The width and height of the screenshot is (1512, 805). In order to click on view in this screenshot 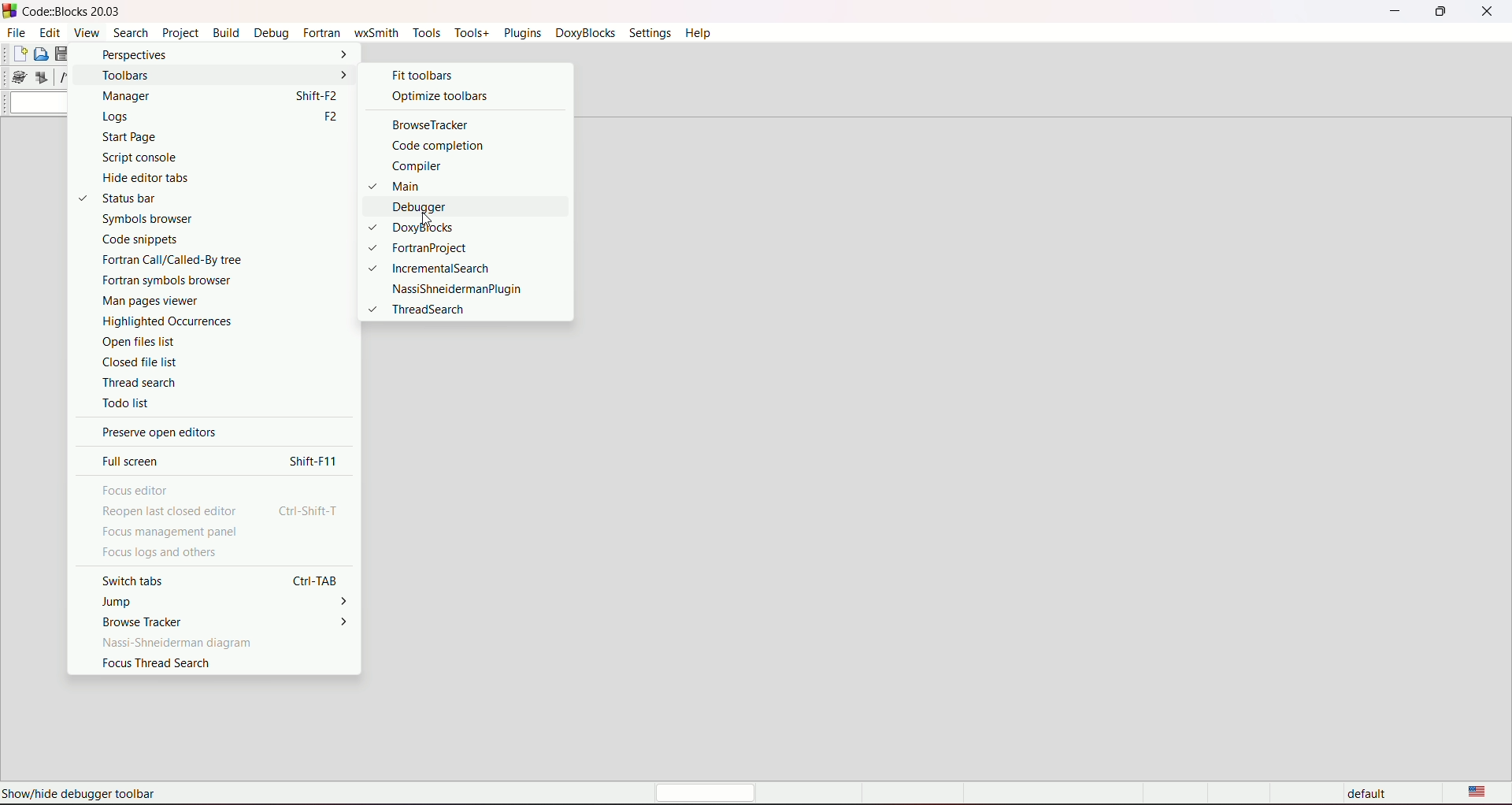, I will do `click(84, 32)`.